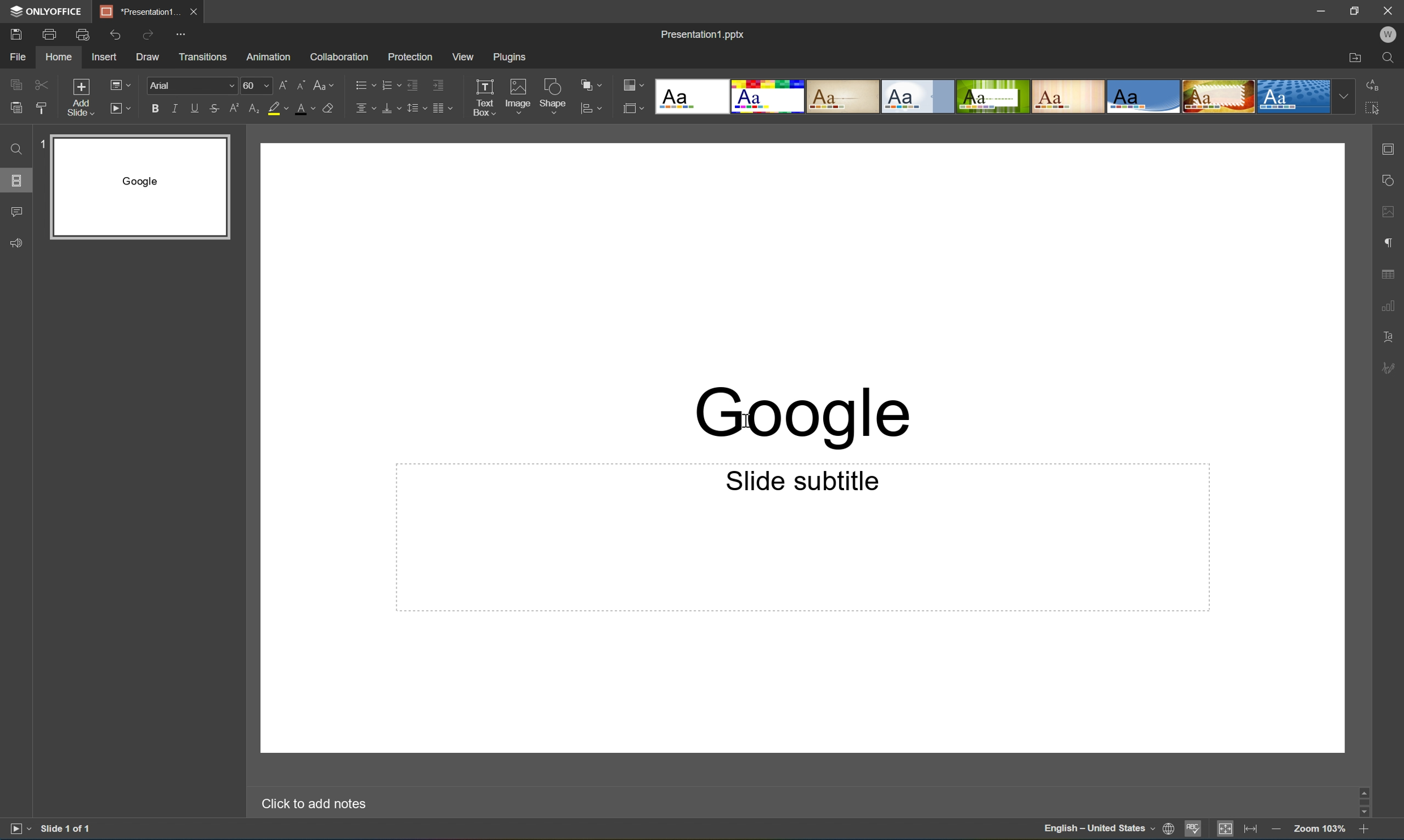 The image size is (1404, 840). What do you see at coordinates (1388, 368) in the screenshot?
I see `Signature settings` at bounding box center [1388, 368].